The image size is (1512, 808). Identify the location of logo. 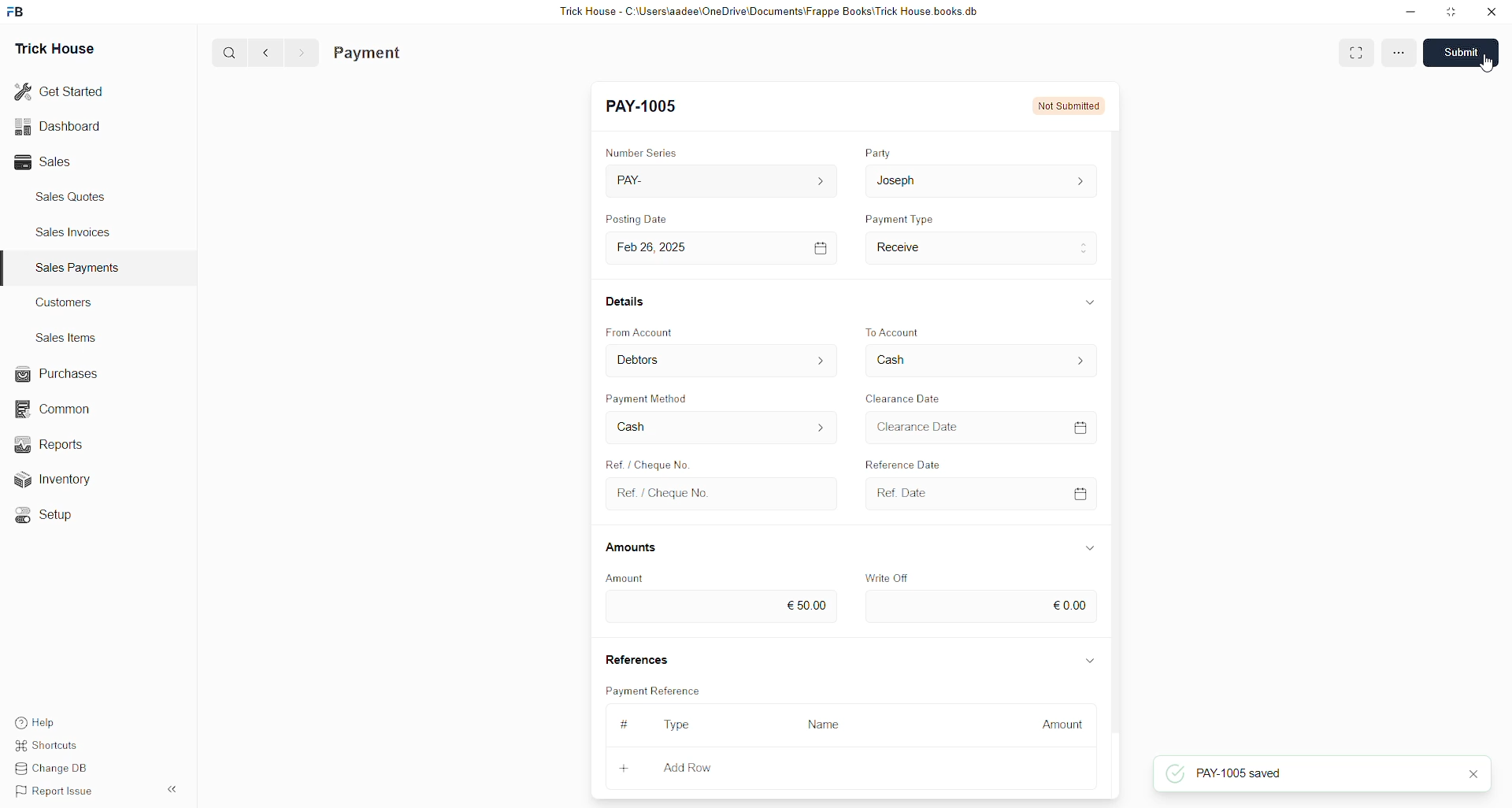
(17, 12).